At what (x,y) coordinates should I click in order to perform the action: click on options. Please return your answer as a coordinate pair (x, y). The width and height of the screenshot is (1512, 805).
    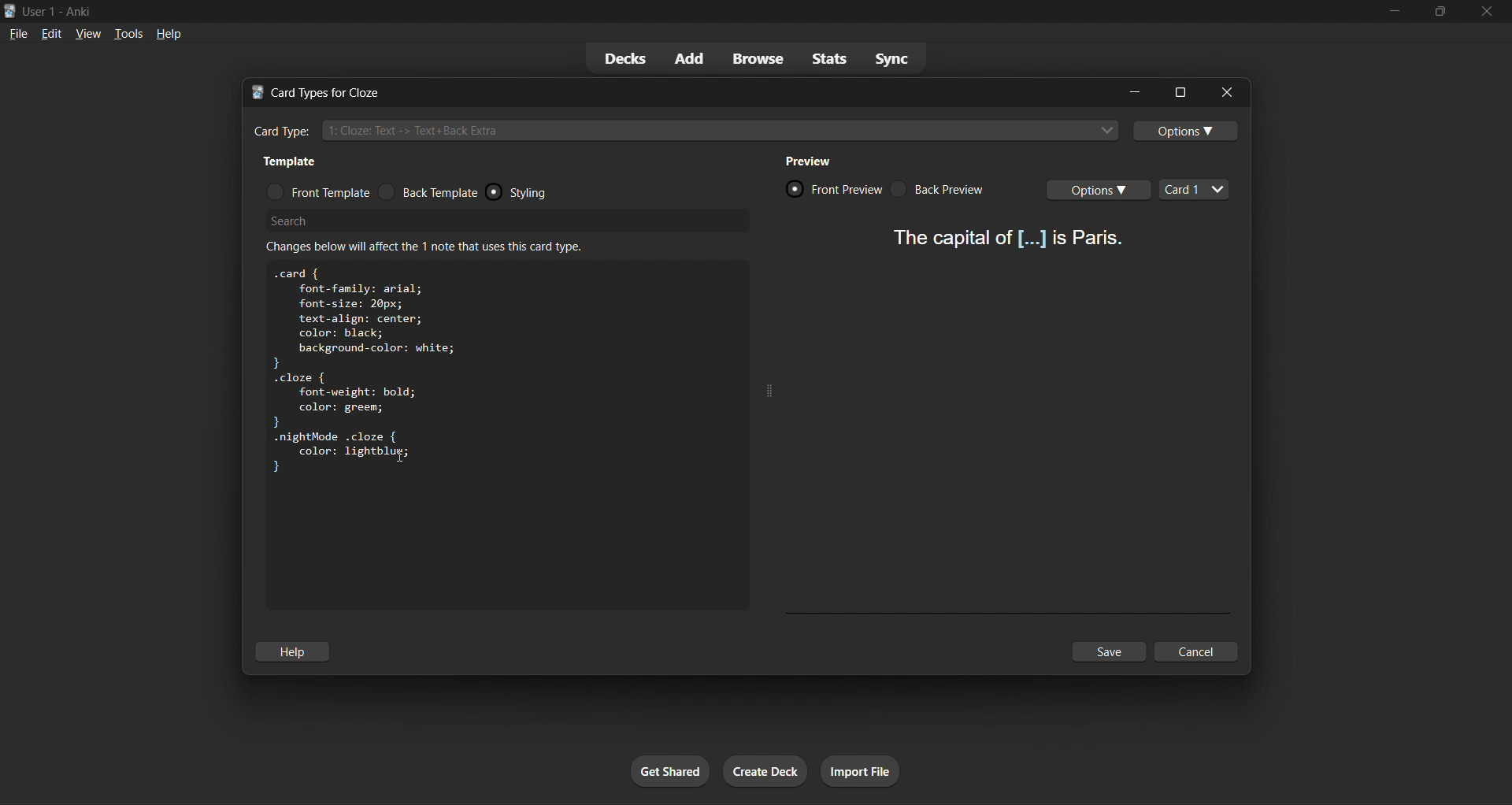
    Looking at the image, I should click on (1178, 91).